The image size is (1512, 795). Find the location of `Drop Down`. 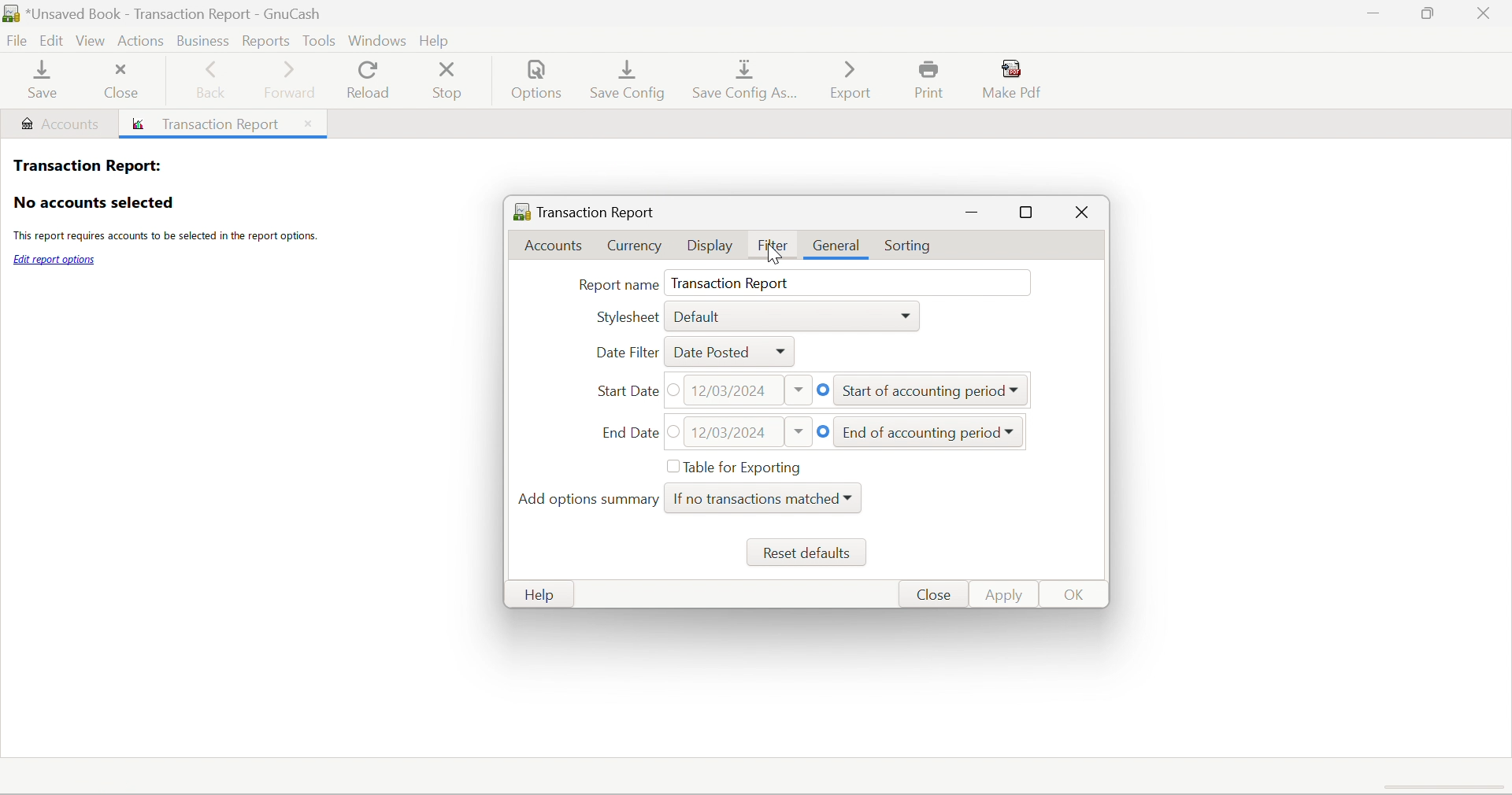

Drop Down is located at coordinates (910, 316).